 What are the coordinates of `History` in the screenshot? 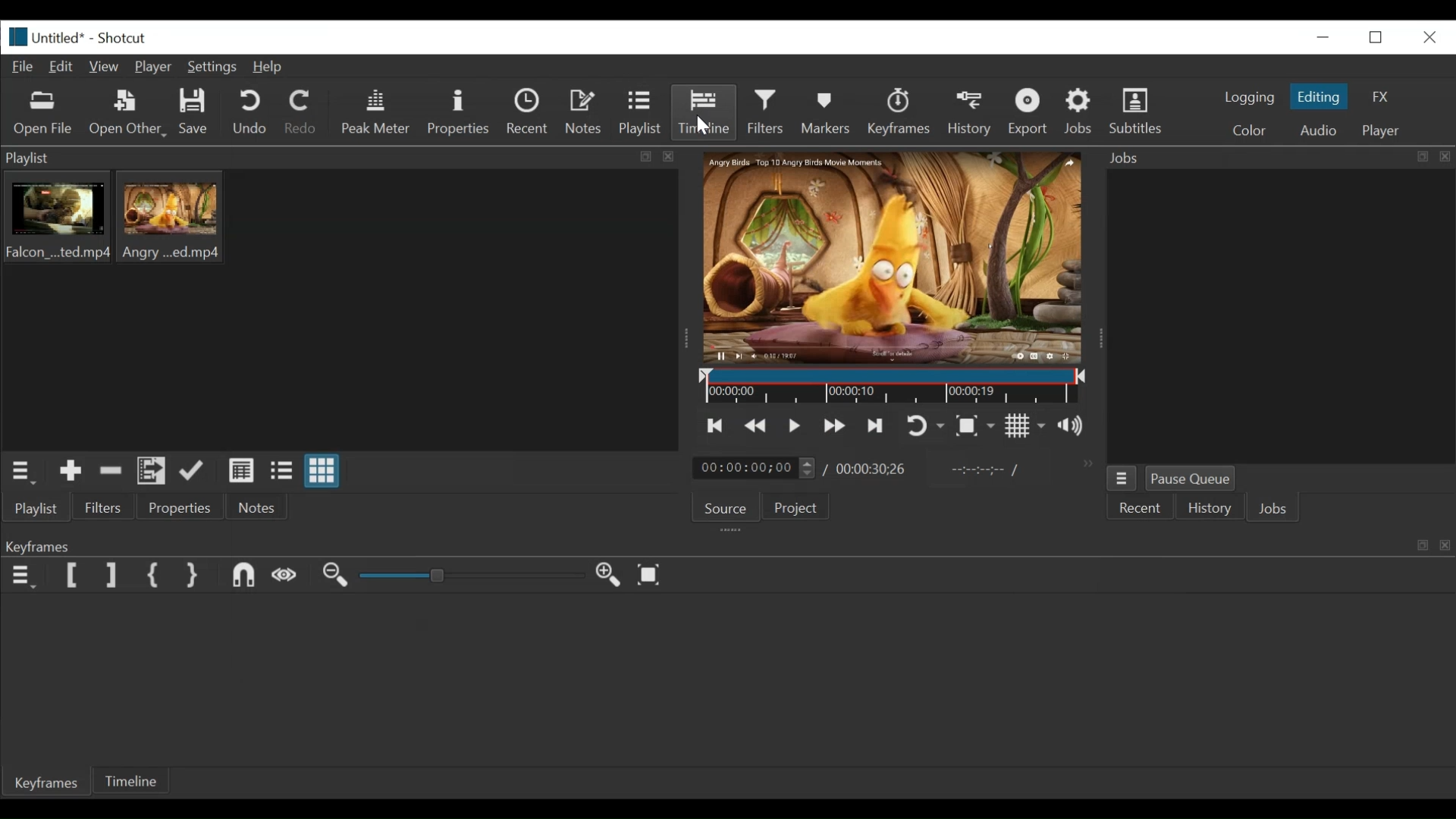 It's located at (972, 111).